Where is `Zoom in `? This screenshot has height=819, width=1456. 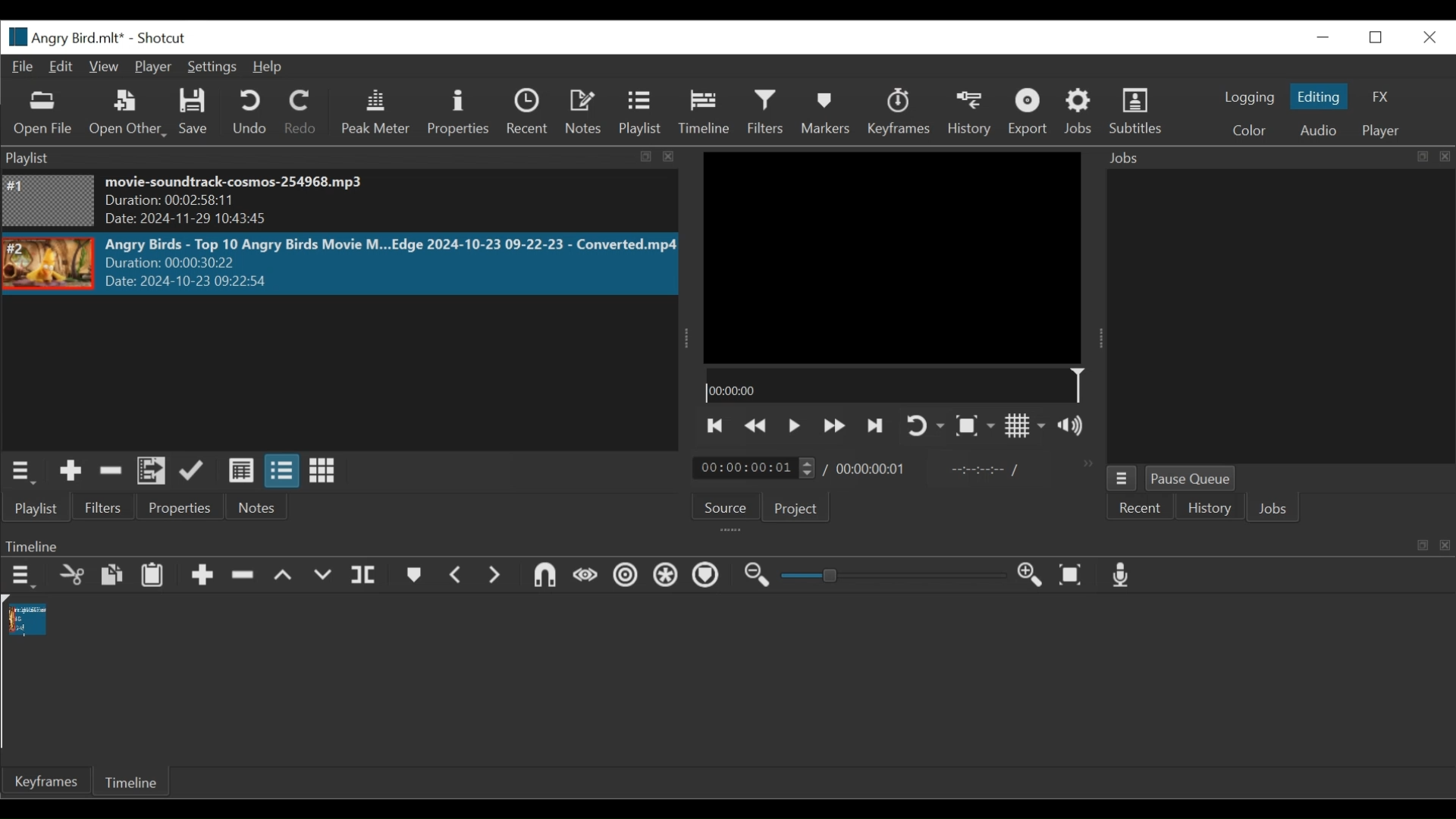 Zoom in  is located at coordinates (1035, 576).